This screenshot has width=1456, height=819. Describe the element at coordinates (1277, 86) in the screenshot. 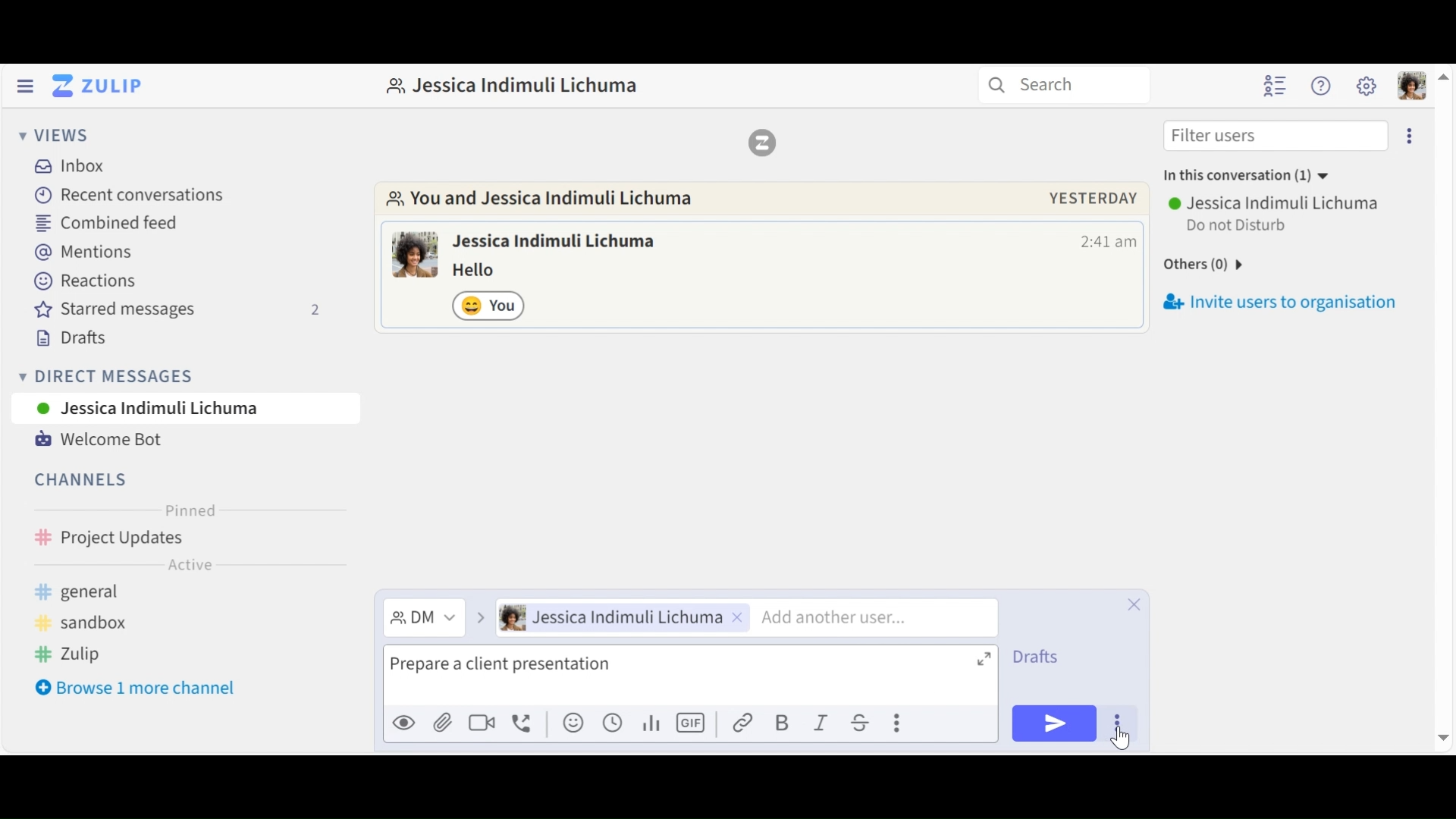

I see `Hide user list` at that location.